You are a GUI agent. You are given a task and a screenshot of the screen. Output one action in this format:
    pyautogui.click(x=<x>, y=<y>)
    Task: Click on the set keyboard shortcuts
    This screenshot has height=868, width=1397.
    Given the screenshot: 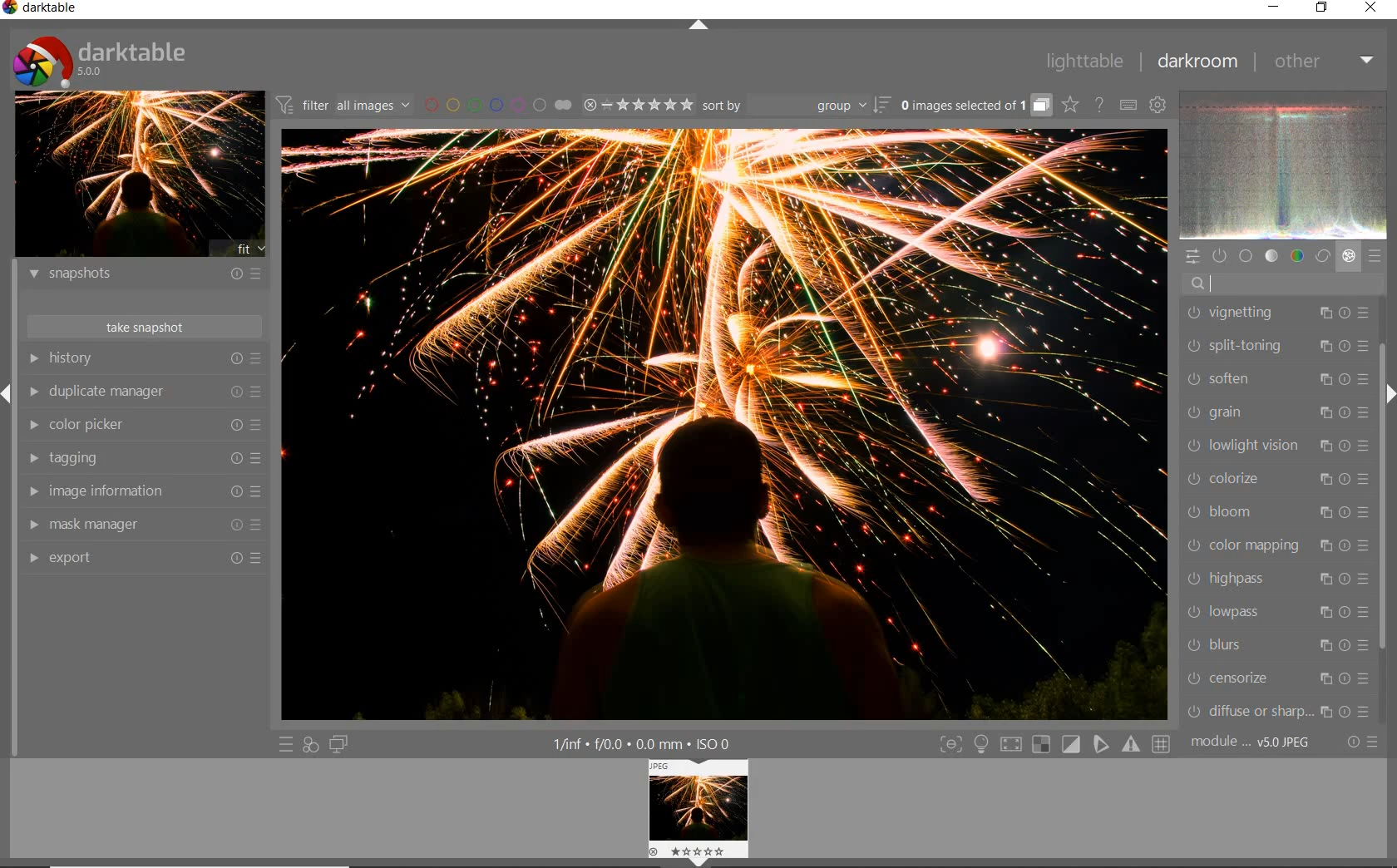 What is the action you would take?
    pyautogui.click(x=1127, y=105)
    